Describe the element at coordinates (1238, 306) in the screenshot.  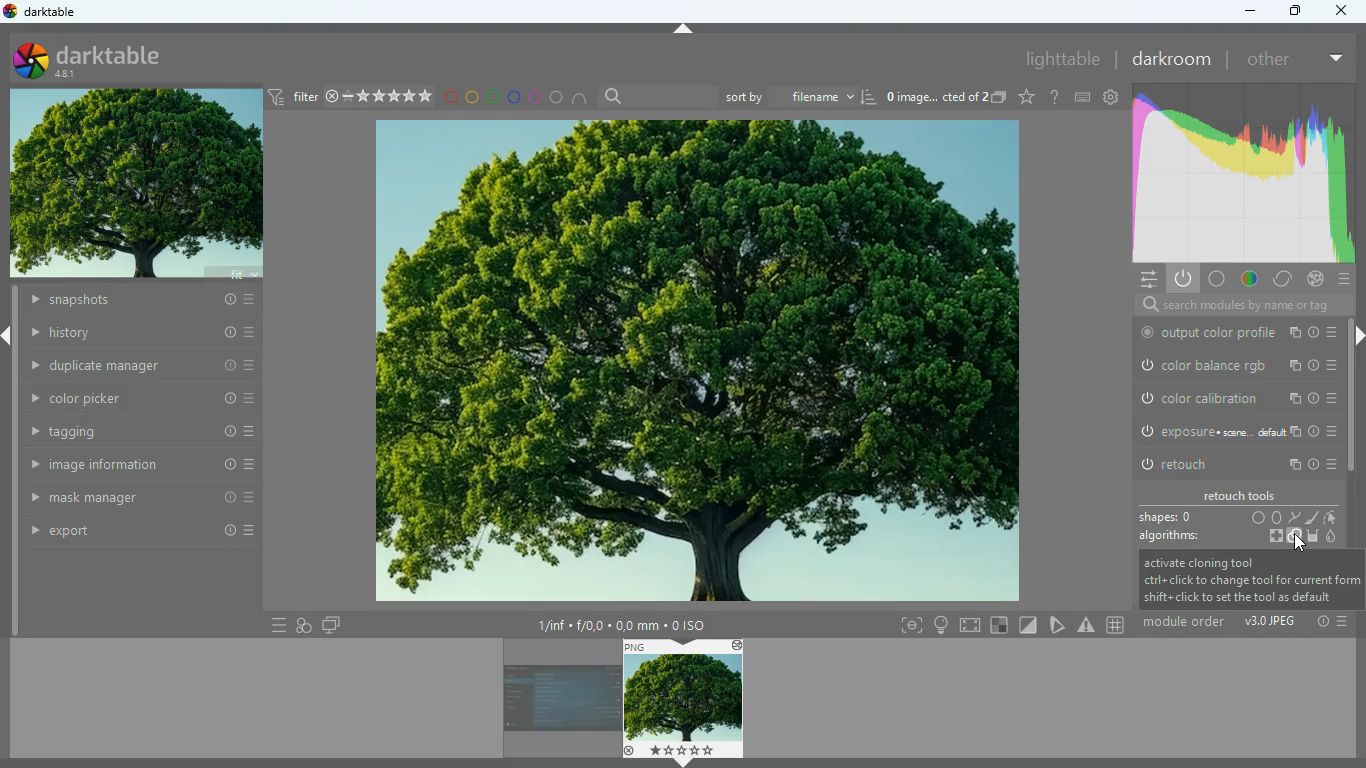
I see `search` at that location.